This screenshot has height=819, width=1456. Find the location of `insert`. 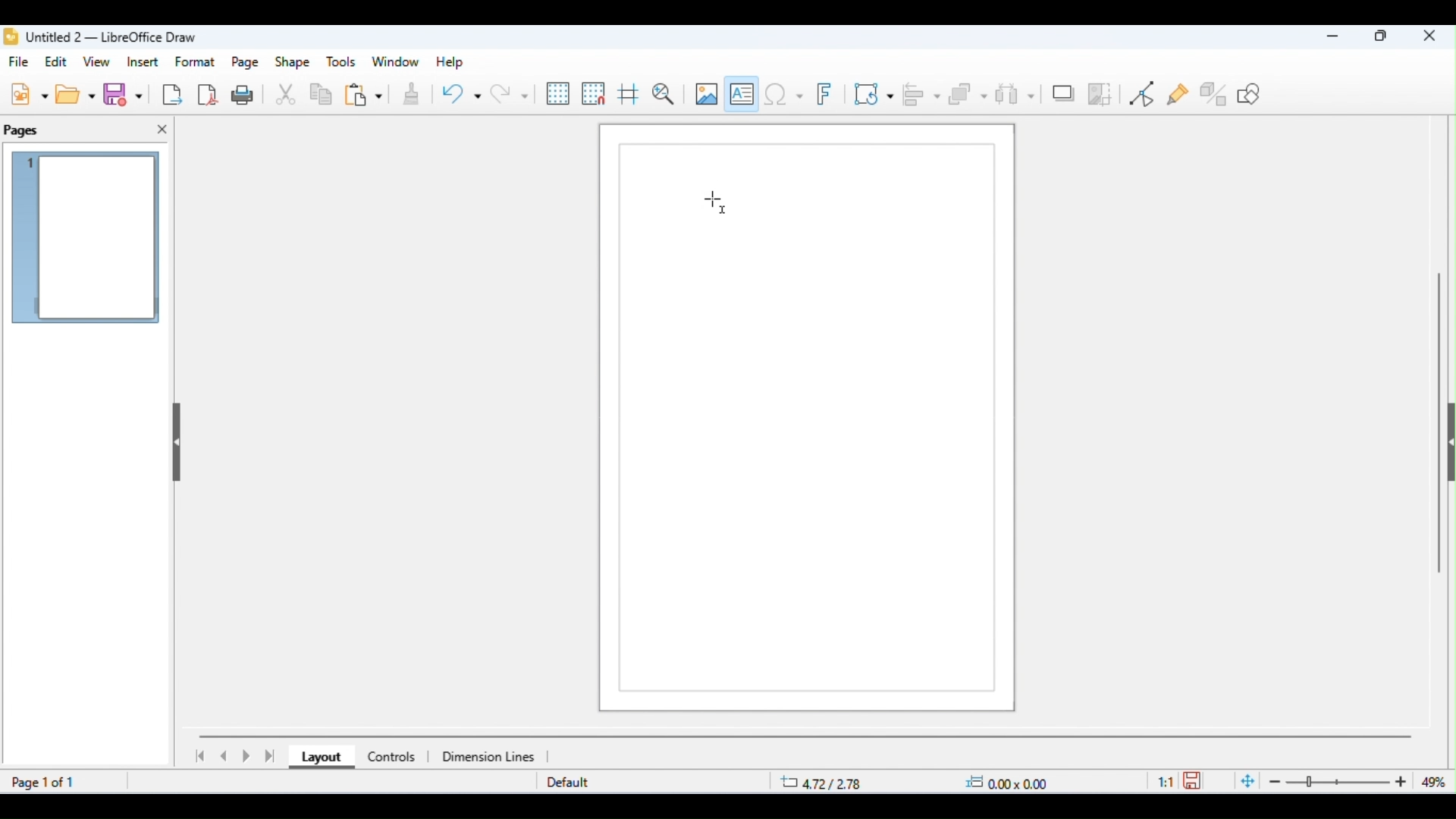

insert is located at coordinates (143, 61).